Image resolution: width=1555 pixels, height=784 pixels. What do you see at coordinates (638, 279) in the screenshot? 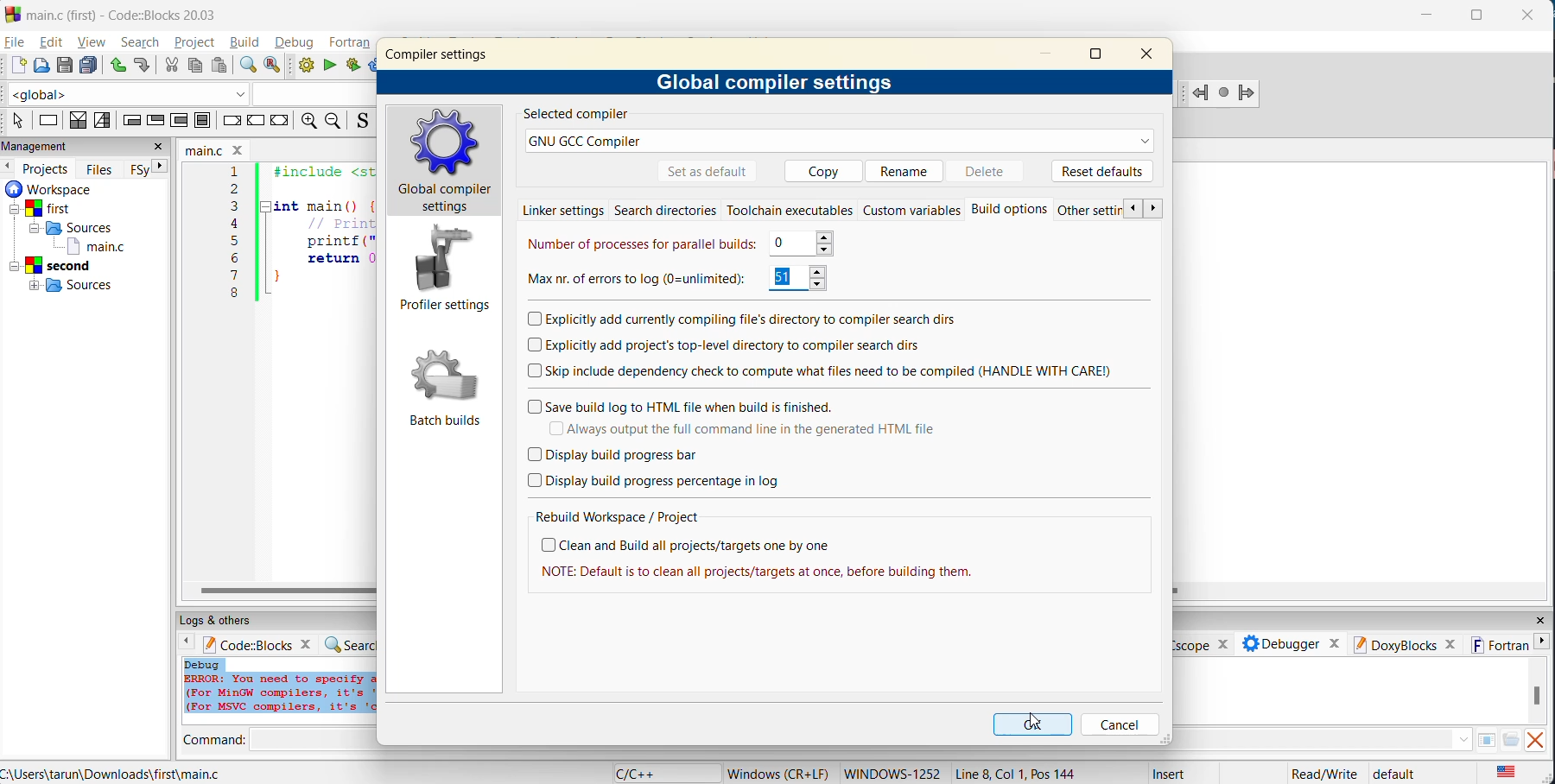
I see `max number of errors to log` at bounding box center [638, 279].